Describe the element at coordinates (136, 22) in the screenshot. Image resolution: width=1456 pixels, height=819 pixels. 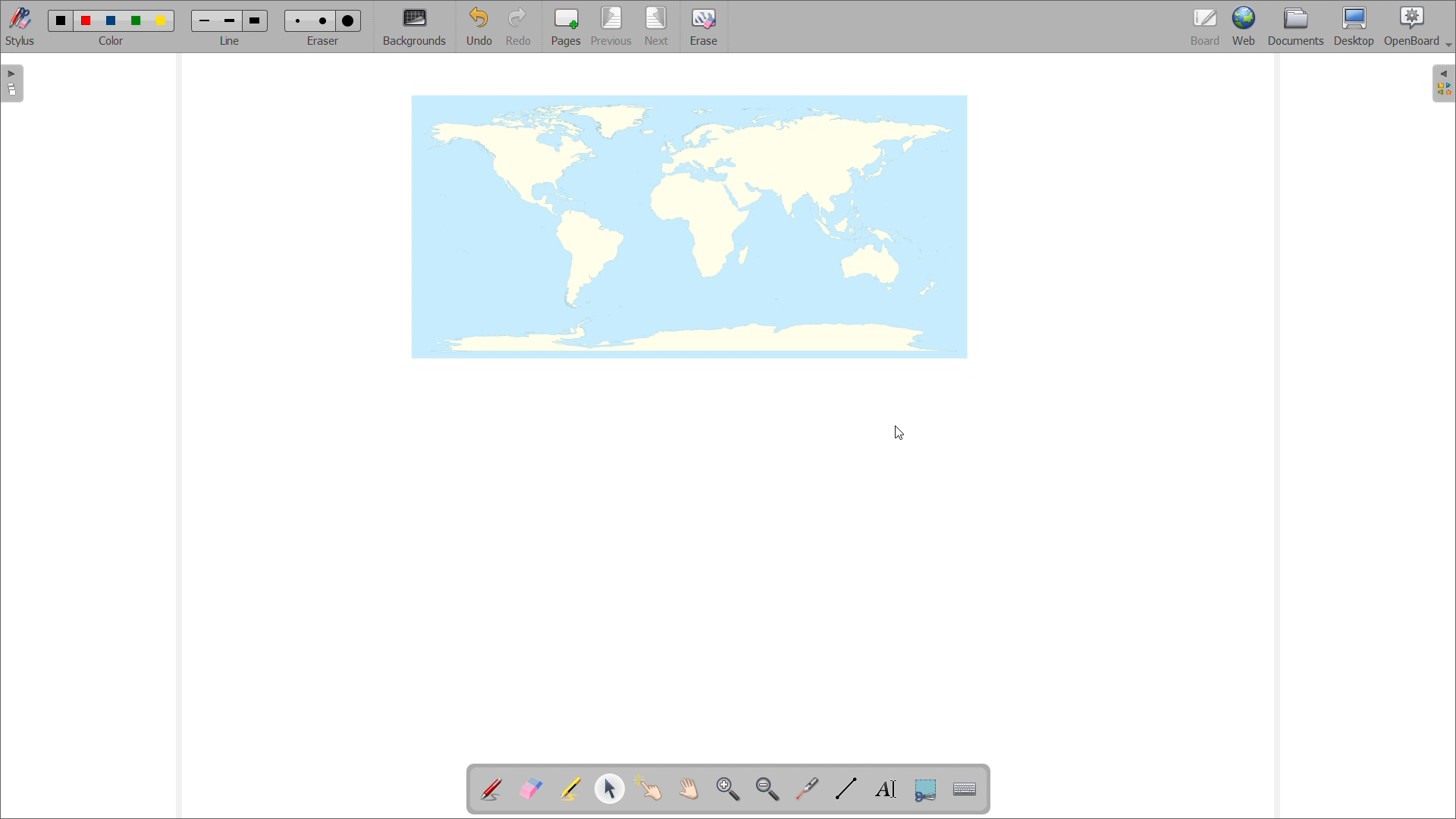
I see `green` at that location.